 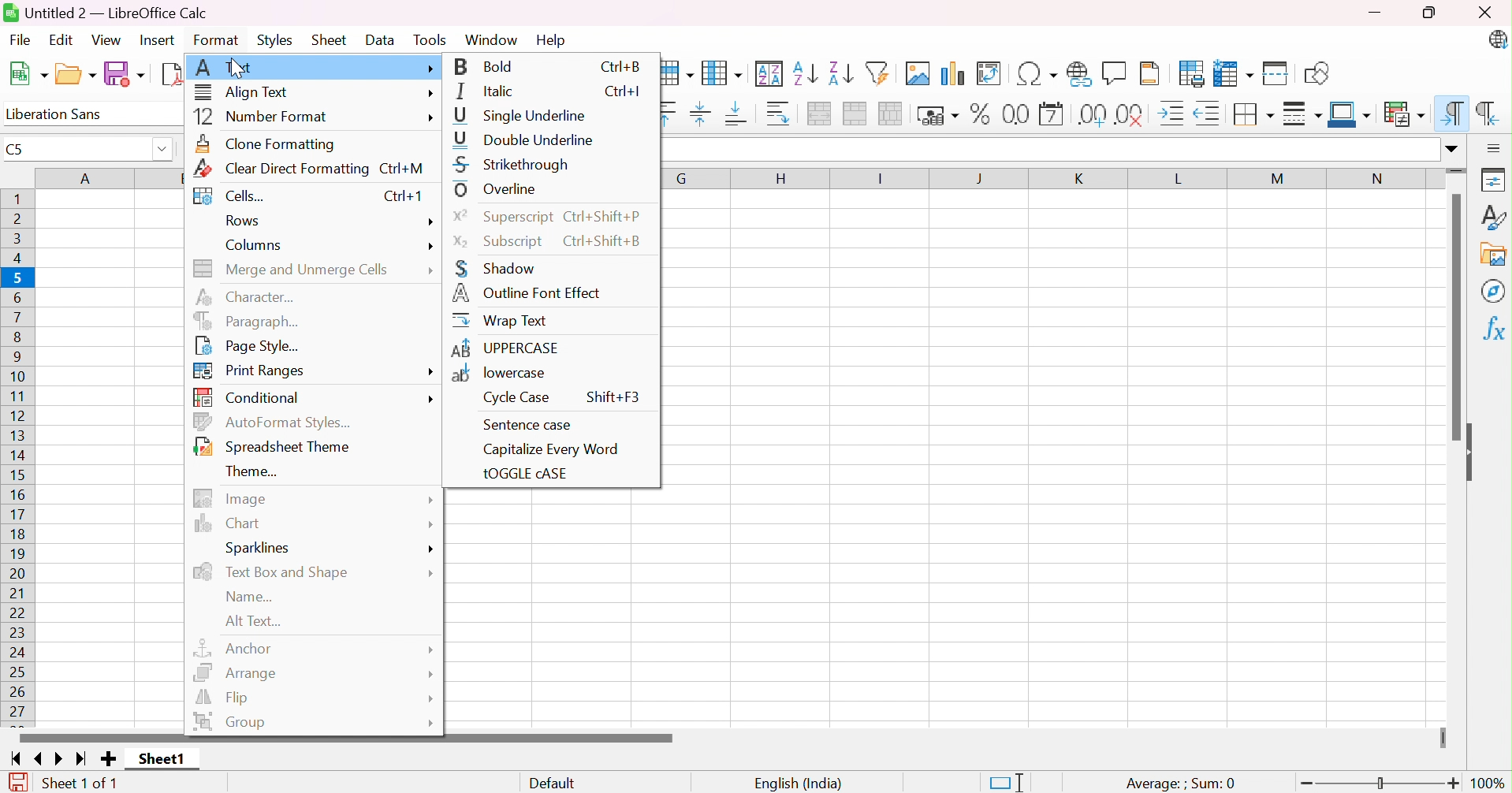 What do you see at coordinates (266, 142) in the screenshot?
I see `Clone Formatting` at bounding box center [266, 142].